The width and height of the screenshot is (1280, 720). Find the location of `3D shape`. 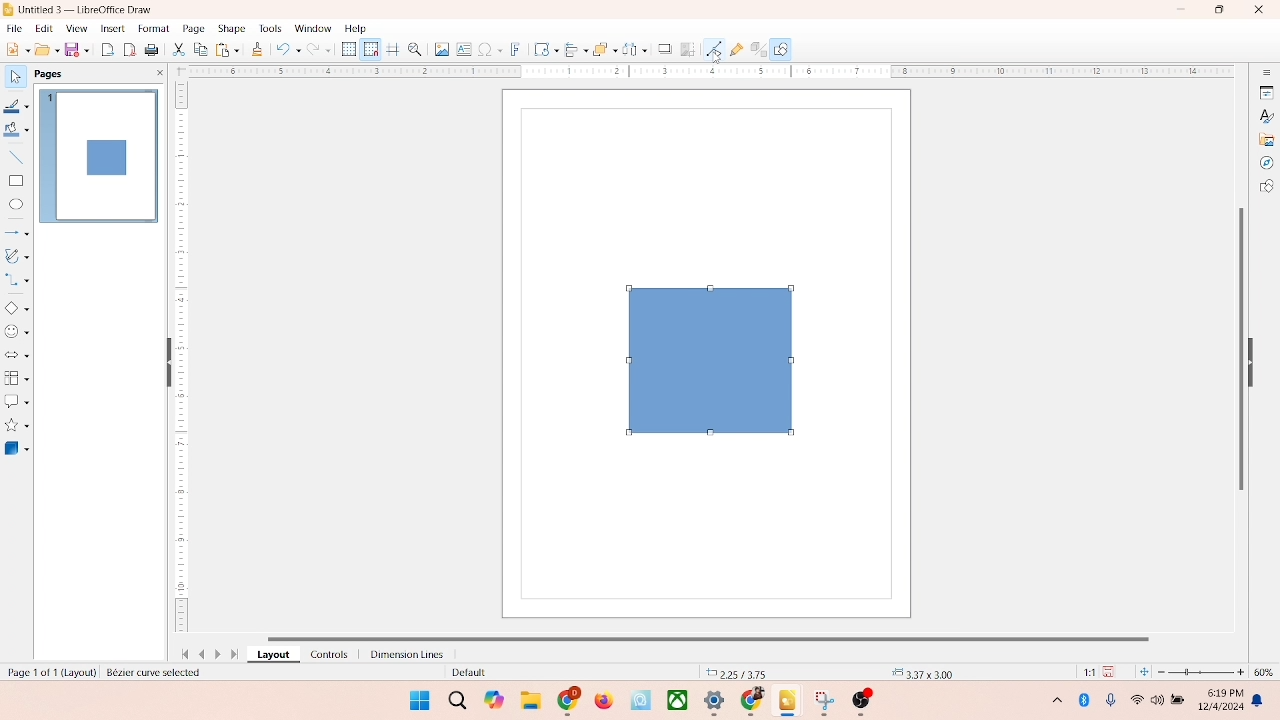

3D shape is located at coordinates (17, 448).